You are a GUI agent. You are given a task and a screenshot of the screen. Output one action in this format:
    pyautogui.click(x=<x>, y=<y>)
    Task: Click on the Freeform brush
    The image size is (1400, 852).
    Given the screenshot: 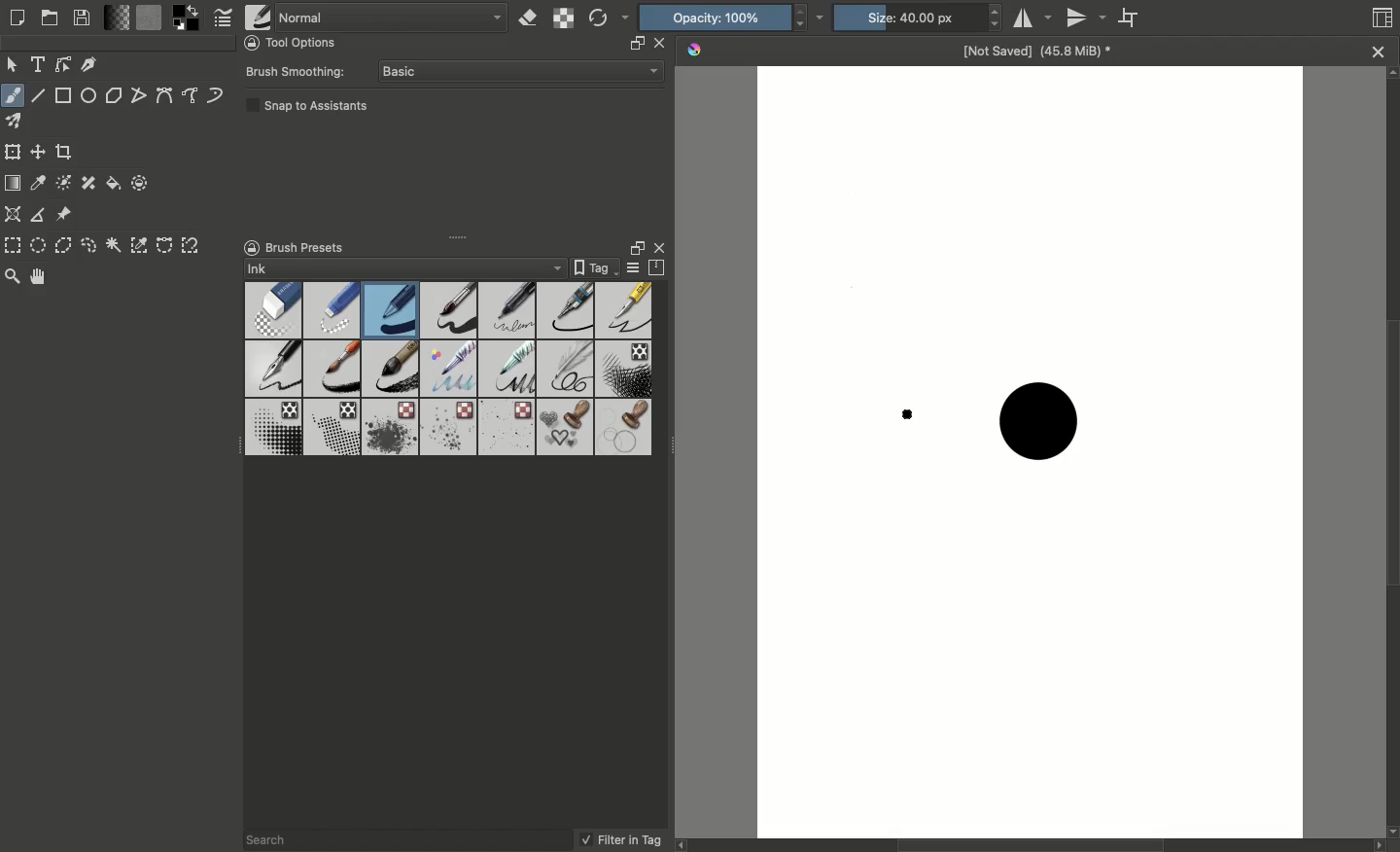 What is the action you would take?
    pyautogui.click(x=13, y=92)
    